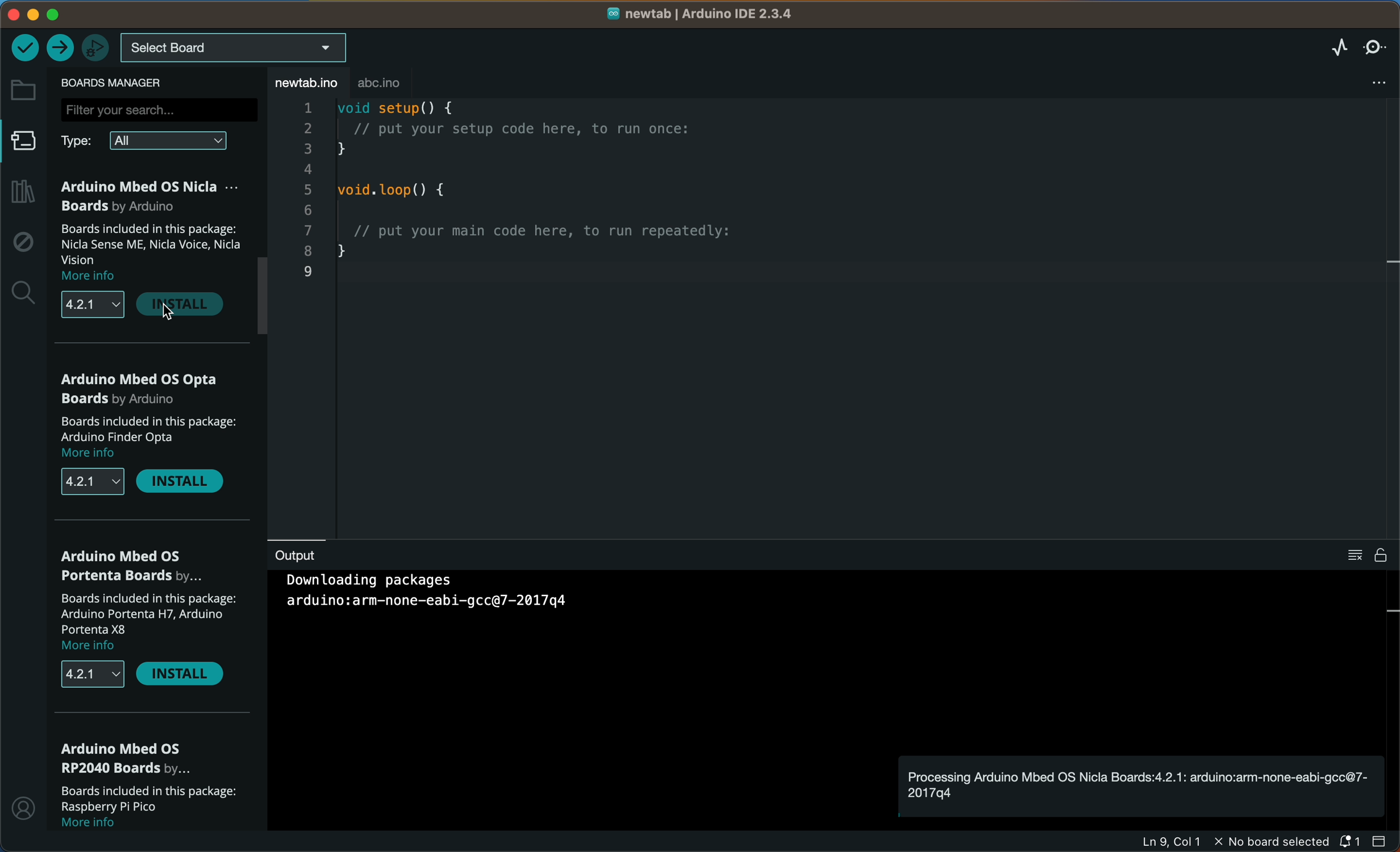  I want to click on search, so click(26, 291).